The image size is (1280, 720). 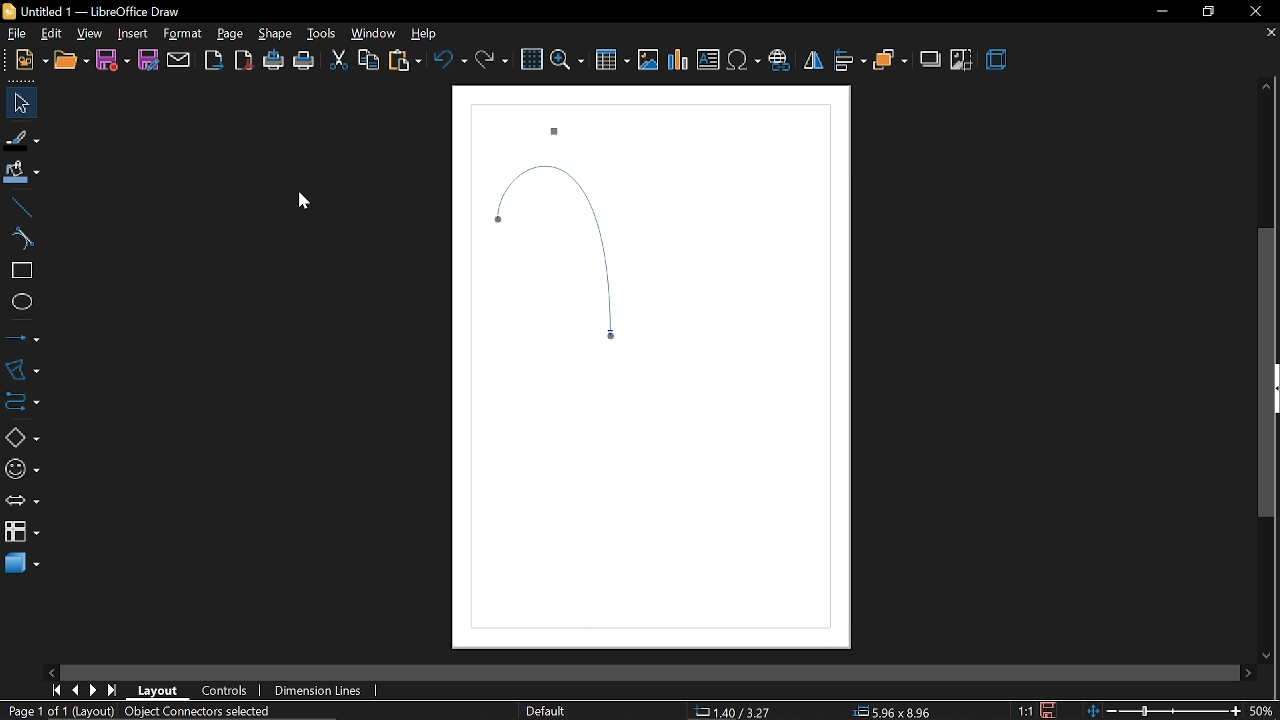 I want to click on format, so click(x=182, y=34).